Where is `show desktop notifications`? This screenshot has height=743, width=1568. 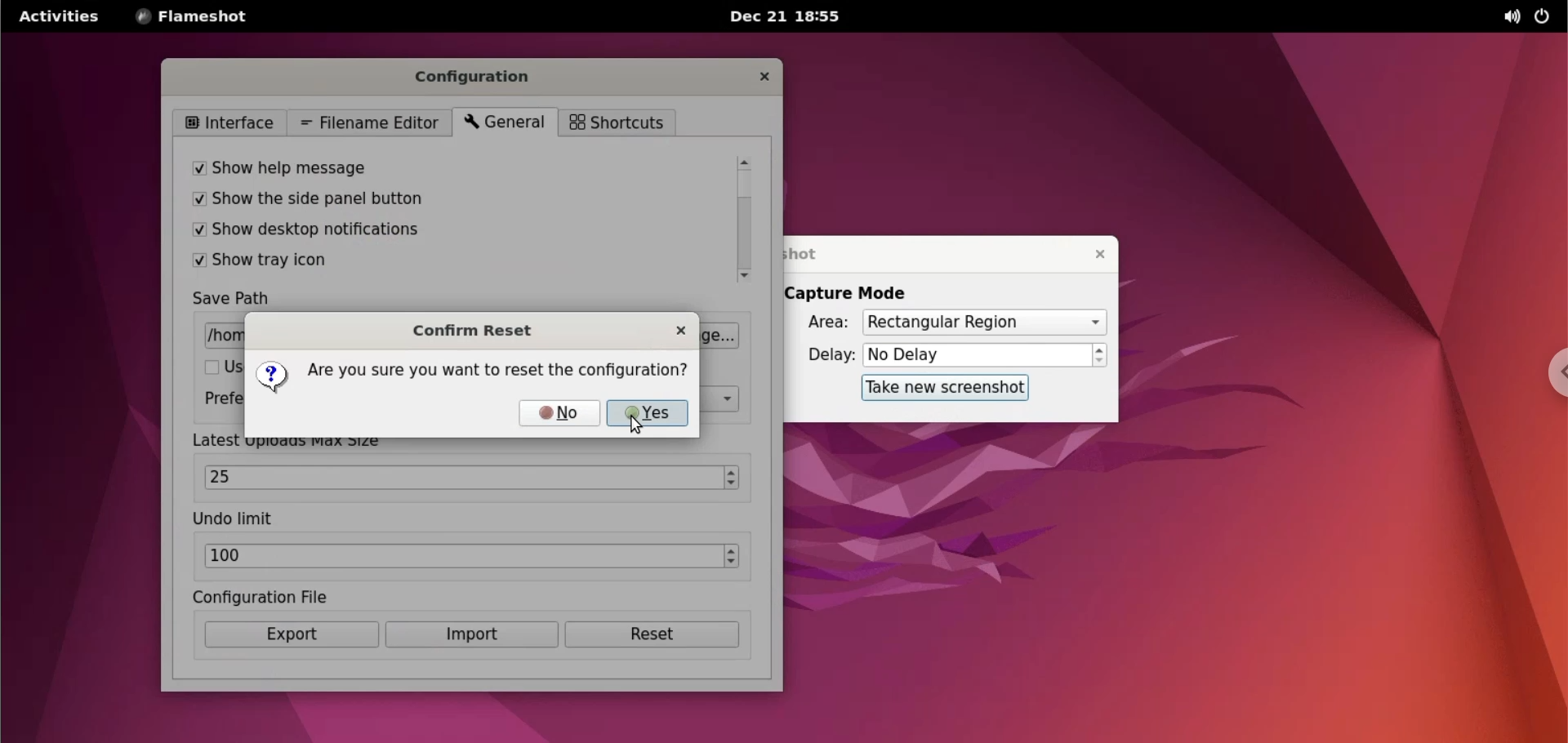
show desktop notifications is located at coordinates (408, 230).